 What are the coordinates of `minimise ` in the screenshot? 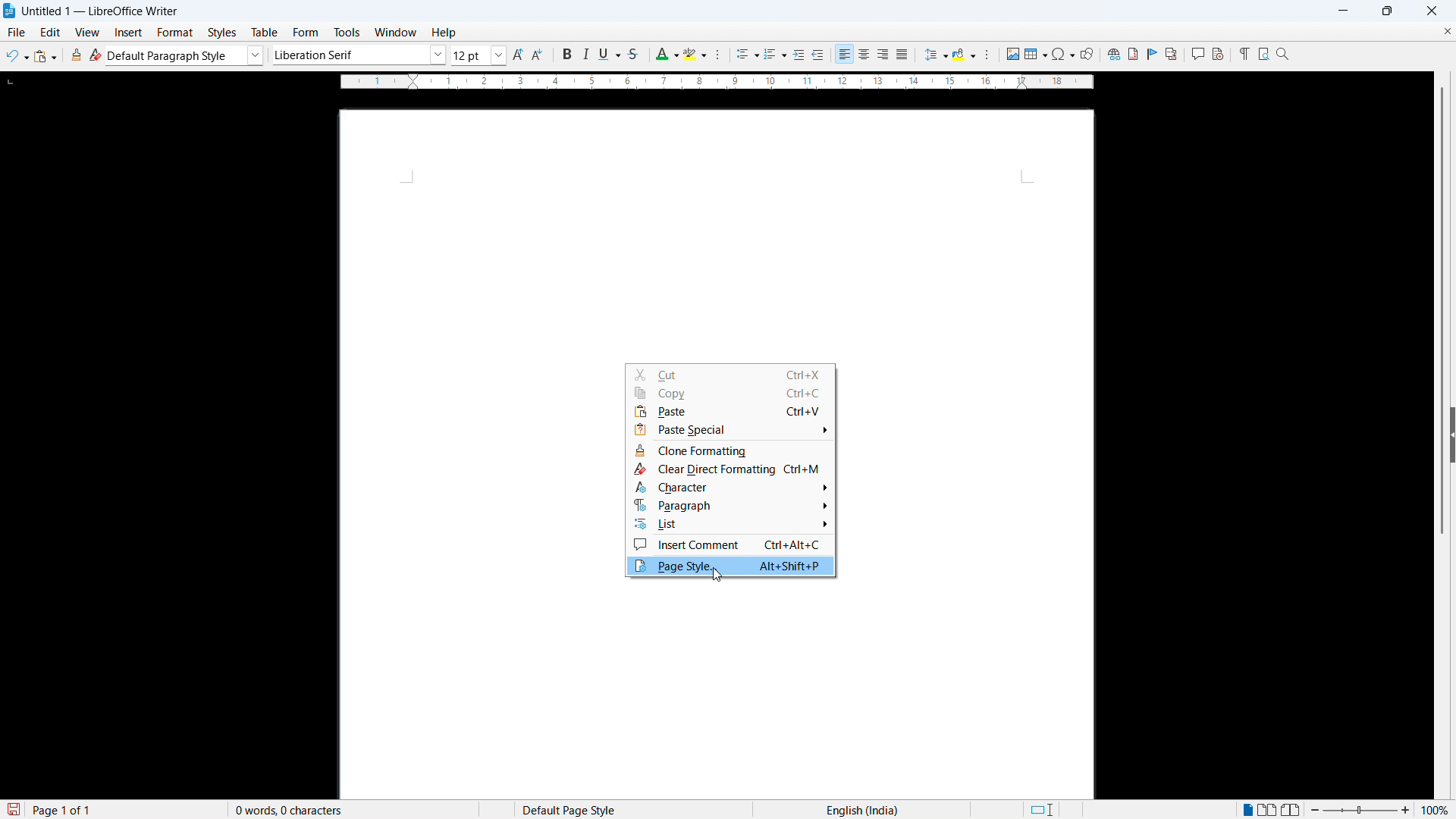 It's located at (1342, 11).